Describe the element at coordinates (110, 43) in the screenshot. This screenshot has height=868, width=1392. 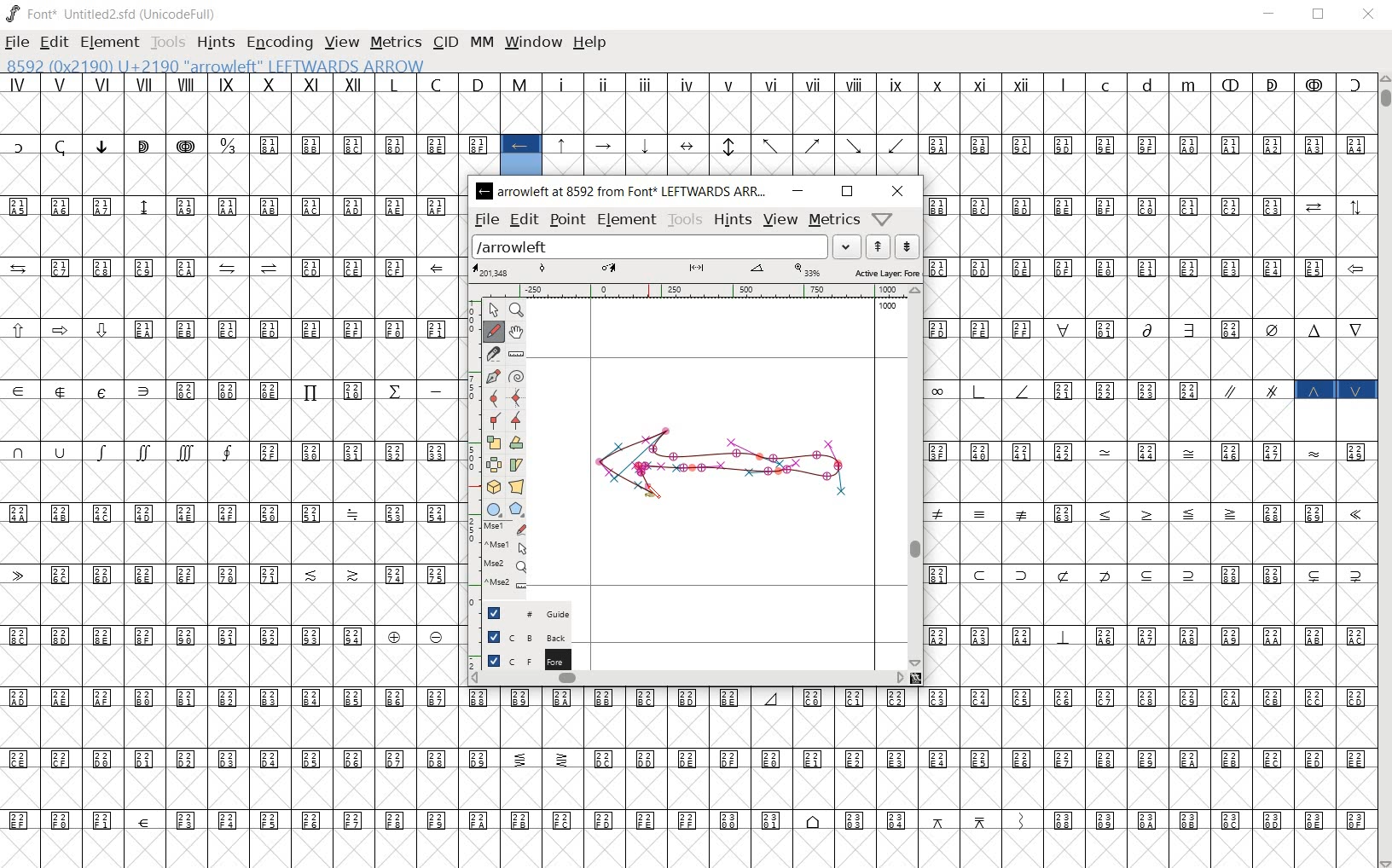
I see `Element` at that location.